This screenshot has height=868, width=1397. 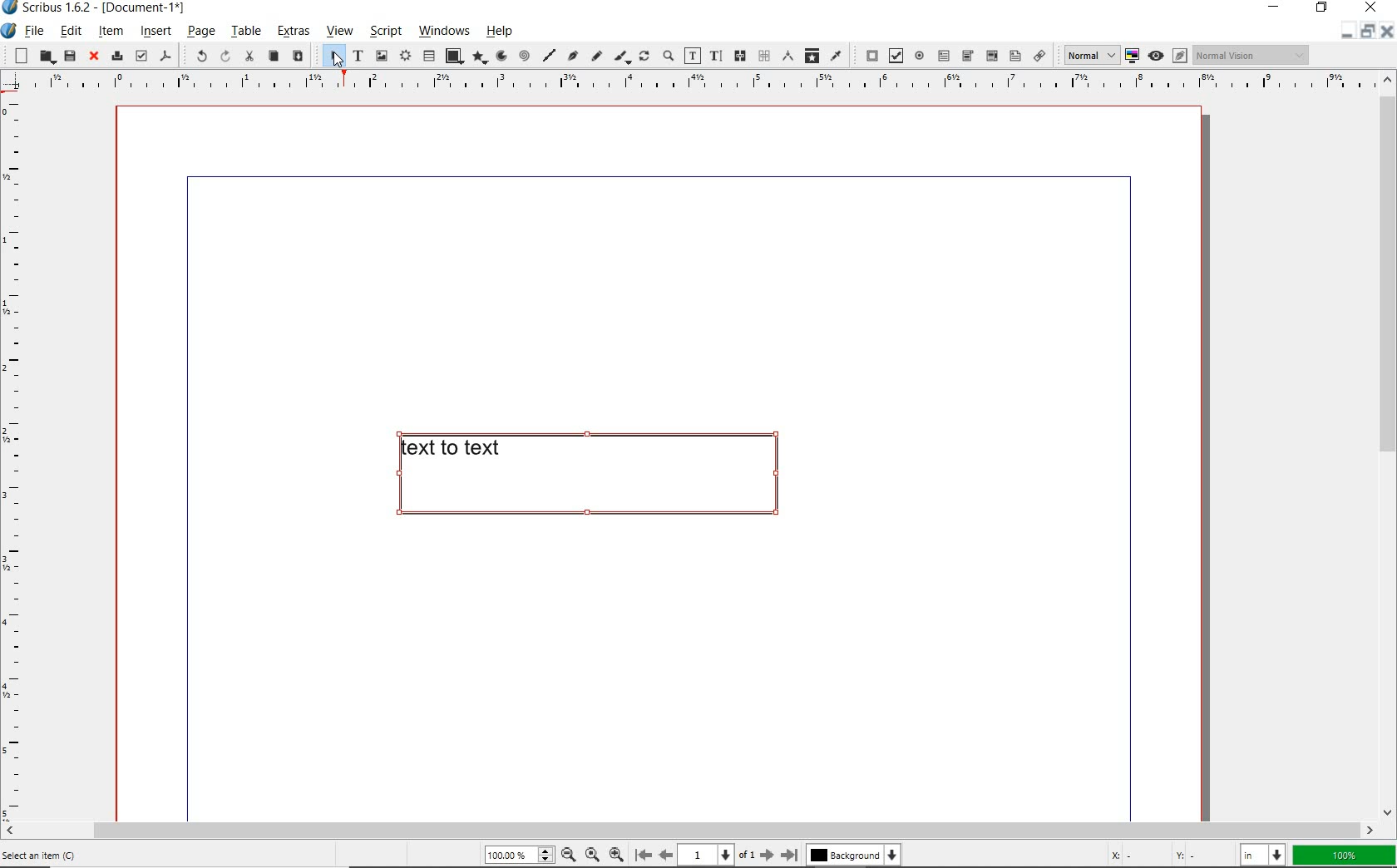 What do you see at coordinates (1387, 445) in the screenshot?
I see `scrollbar` at bounding box center [1387, 445].